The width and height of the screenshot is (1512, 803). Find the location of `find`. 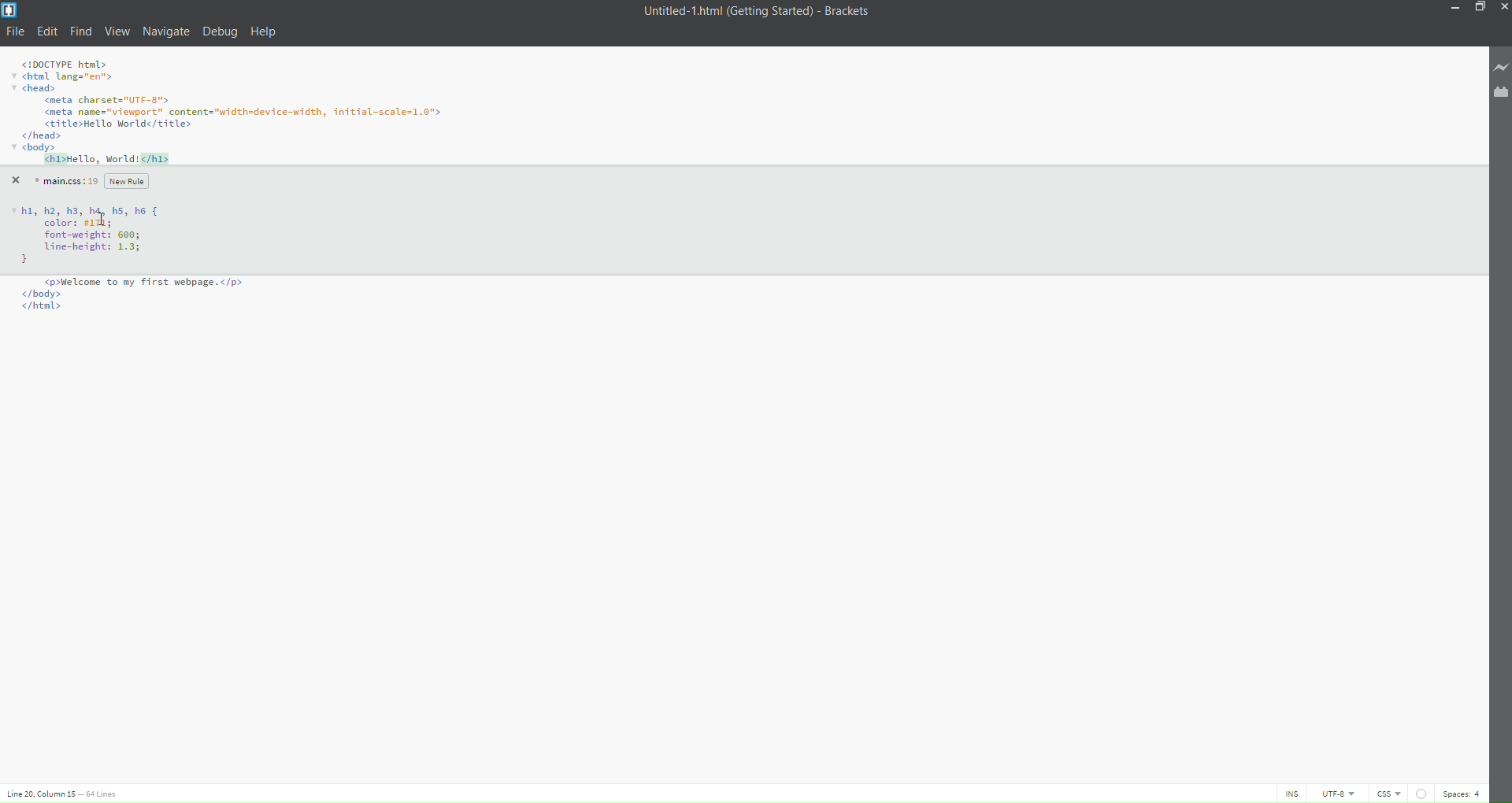

find is located at coordinates (80, 31).